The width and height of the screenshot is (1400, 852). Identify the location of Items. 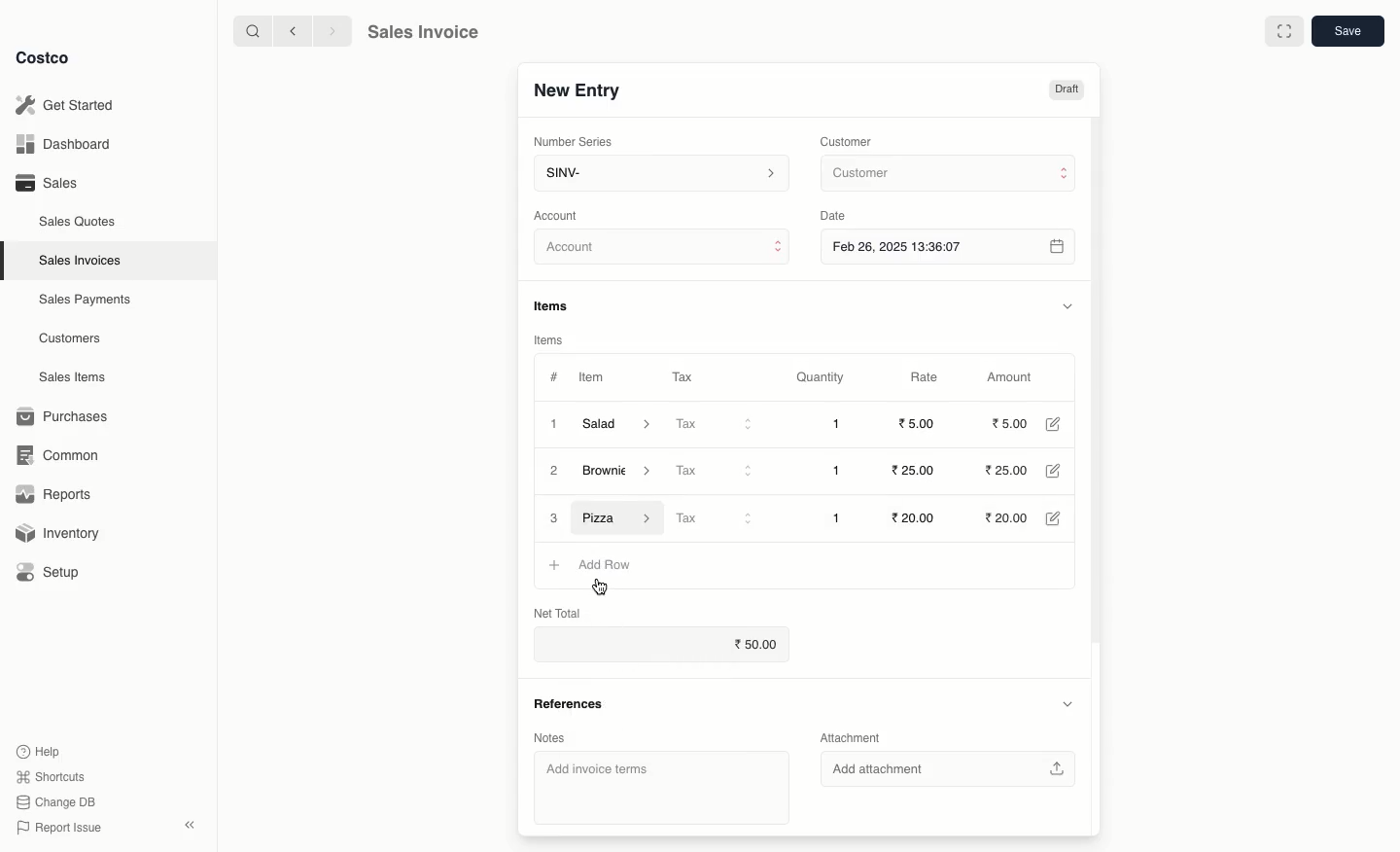
(549, 339).